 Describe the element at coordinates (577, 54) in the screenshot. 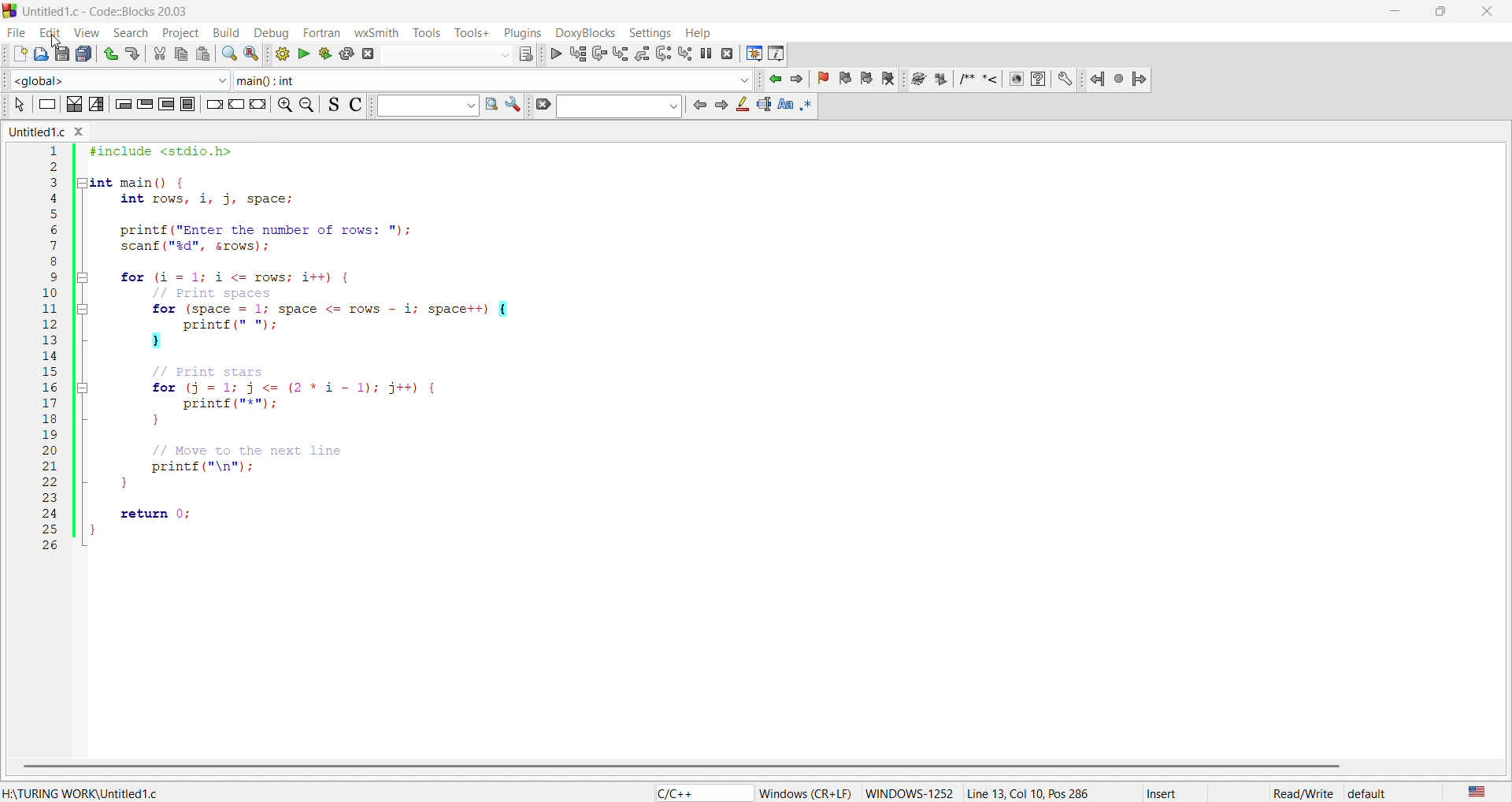

I see `run to cursor` at that location.